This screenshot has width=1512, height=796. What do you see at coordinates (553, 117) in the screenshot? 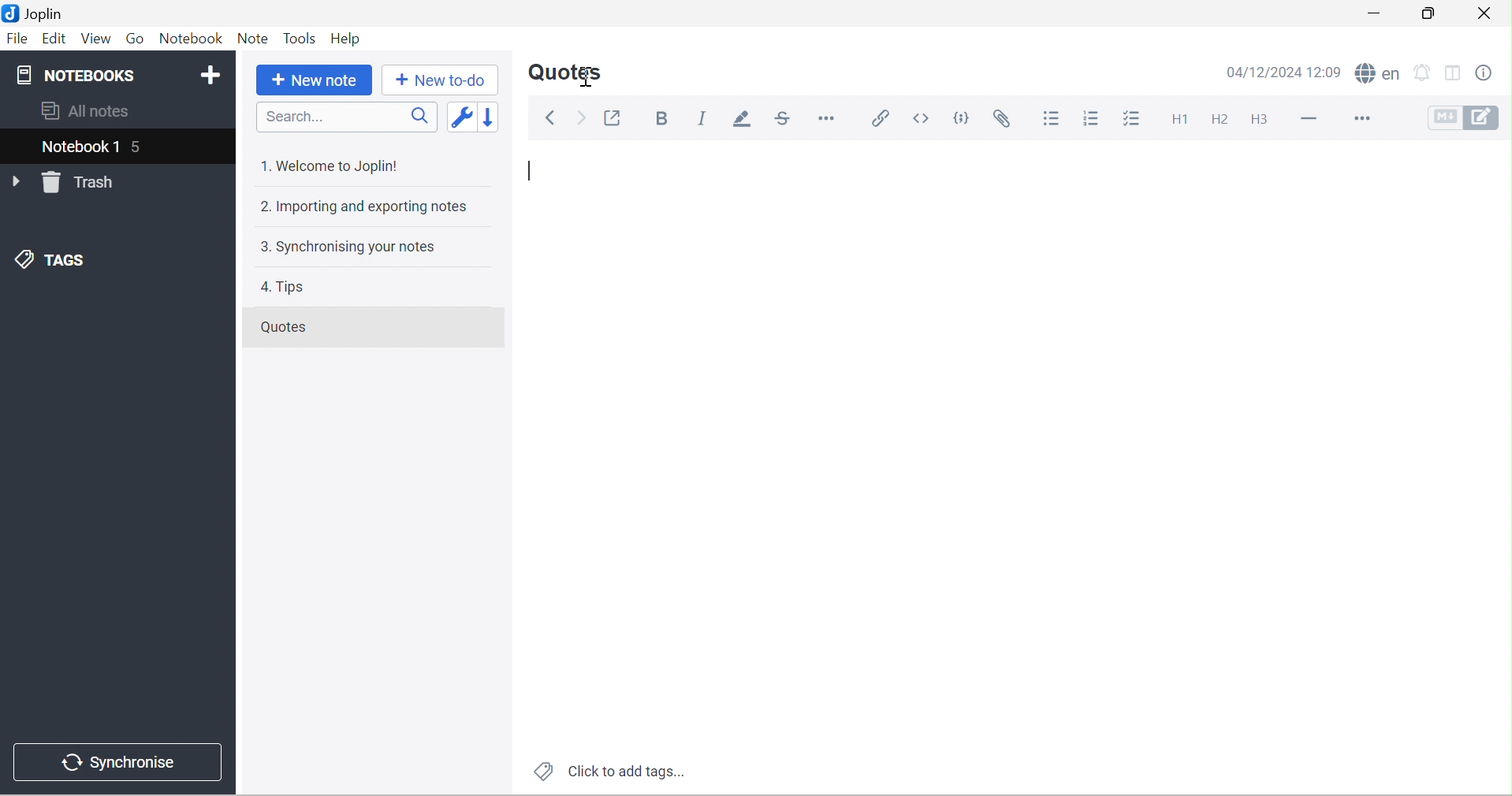
I see `Back` at bounding box center [553, 117].